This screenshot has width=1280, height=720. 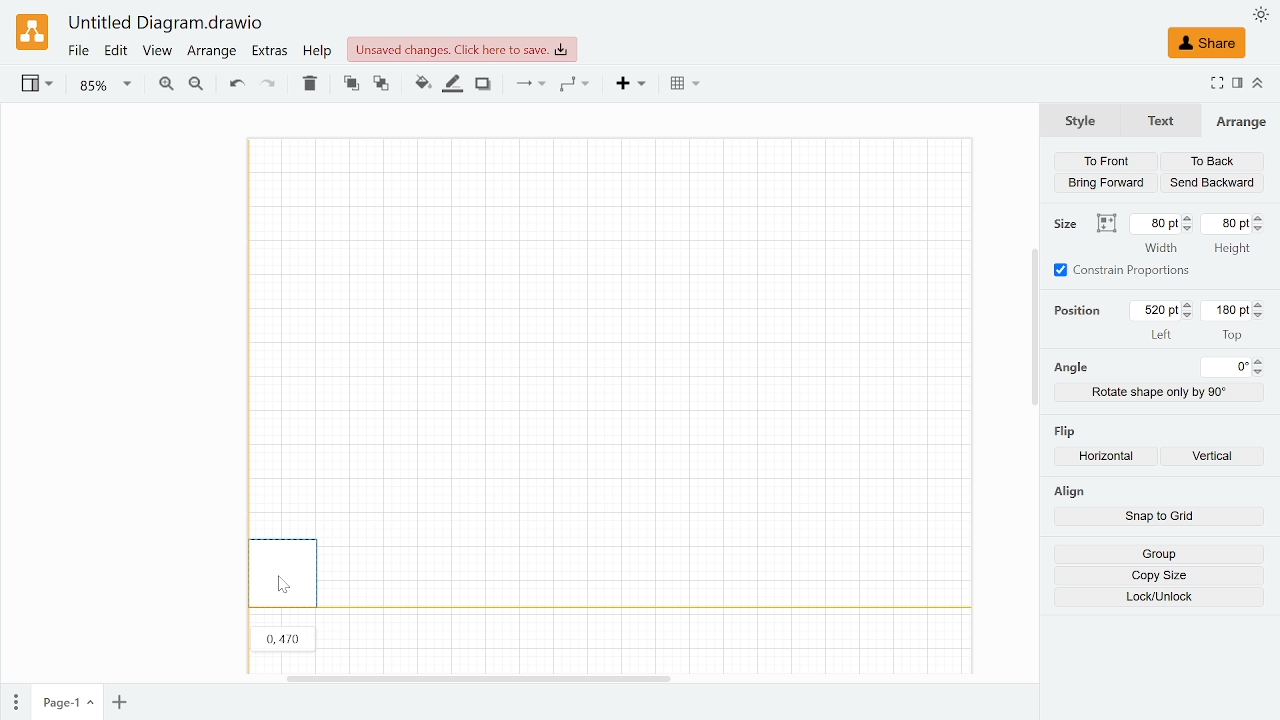 What do you see at coordinates (1232, 334) in the screenshot?
I see `top` at bounding box center [1232, 334].